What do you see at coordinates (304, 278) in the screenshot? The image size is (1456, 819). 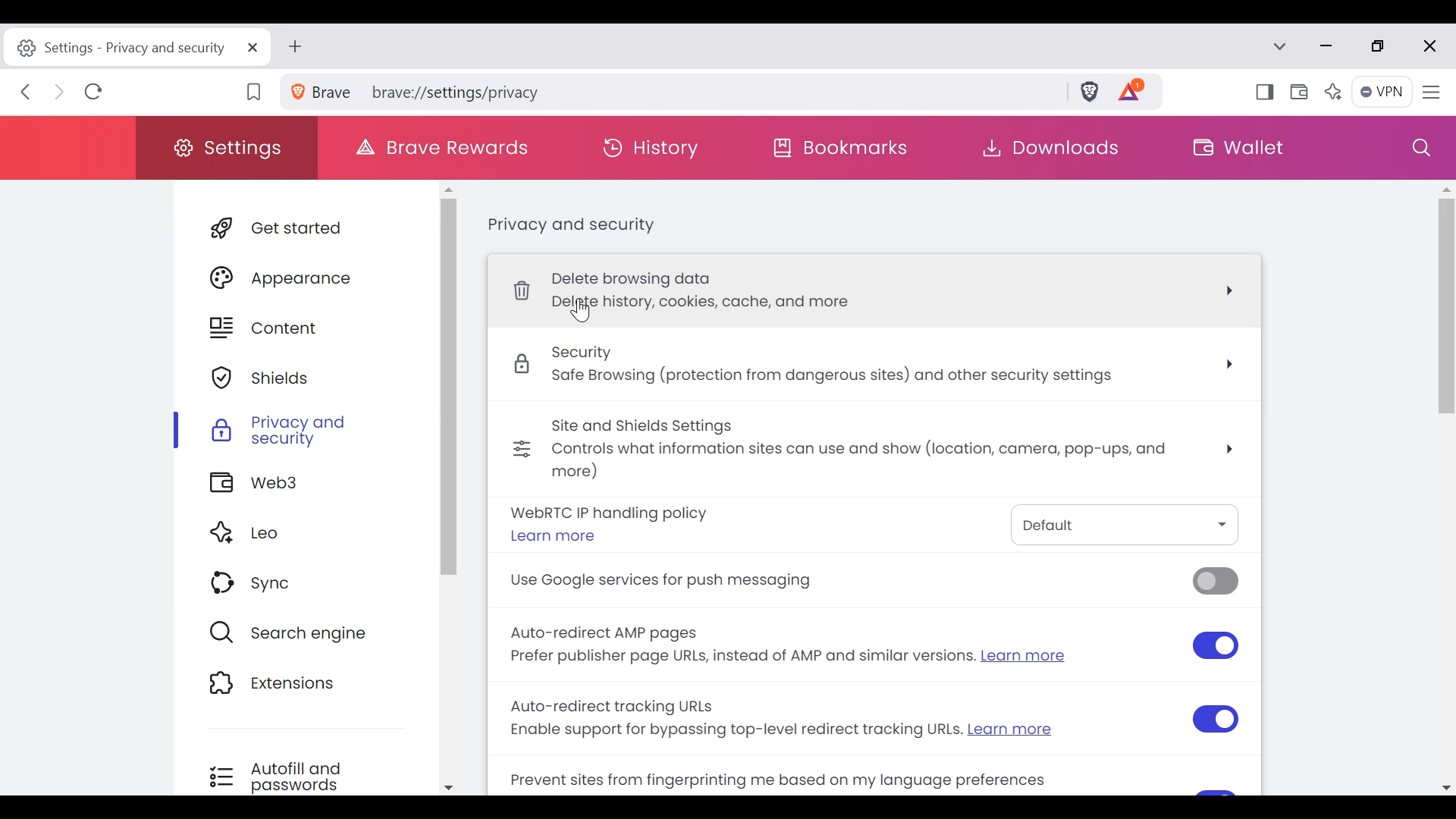 I see `Appearance` at bounding box center [304, 278].